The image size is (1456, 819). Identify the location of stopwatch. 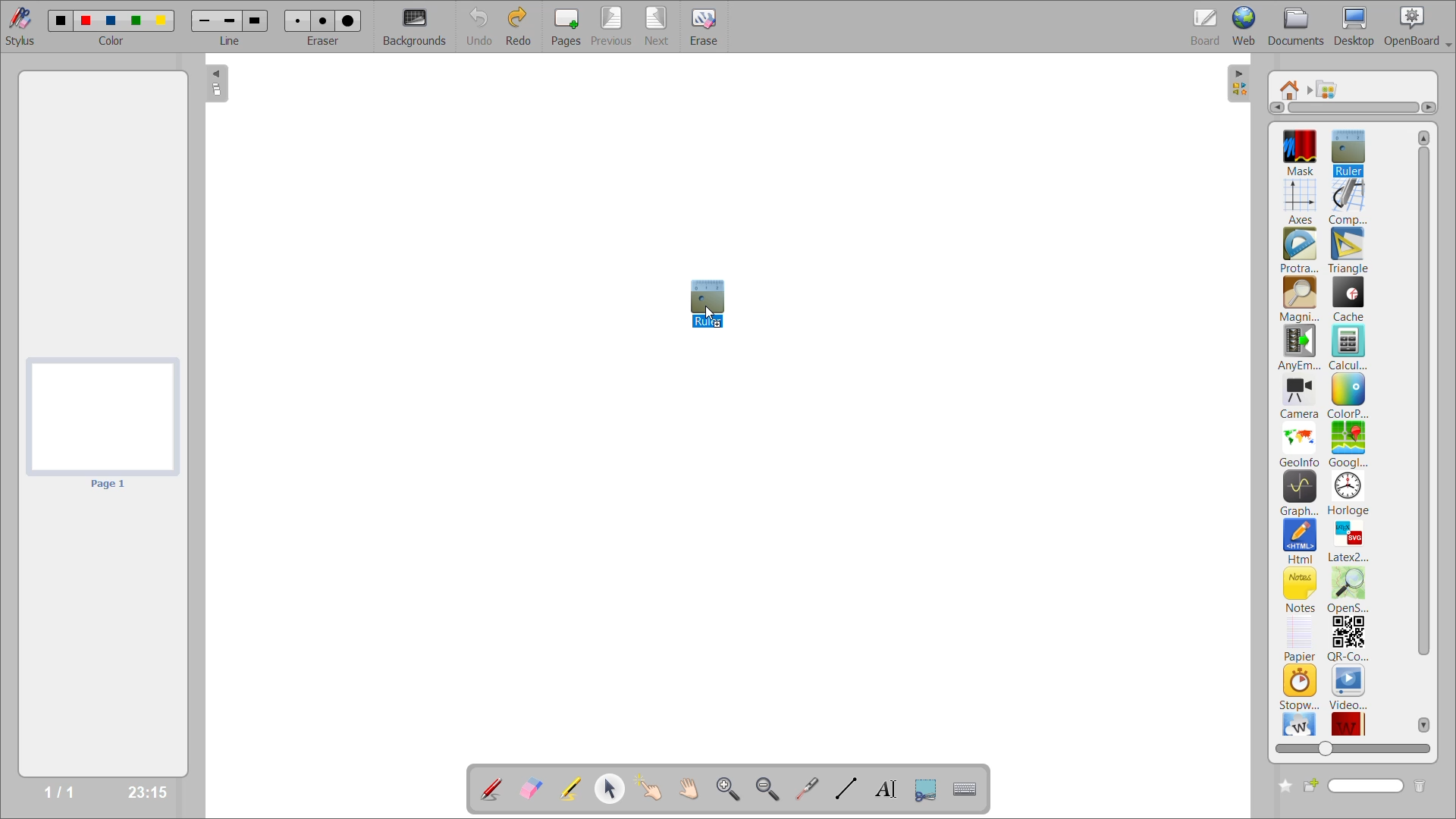
(1299, 686).